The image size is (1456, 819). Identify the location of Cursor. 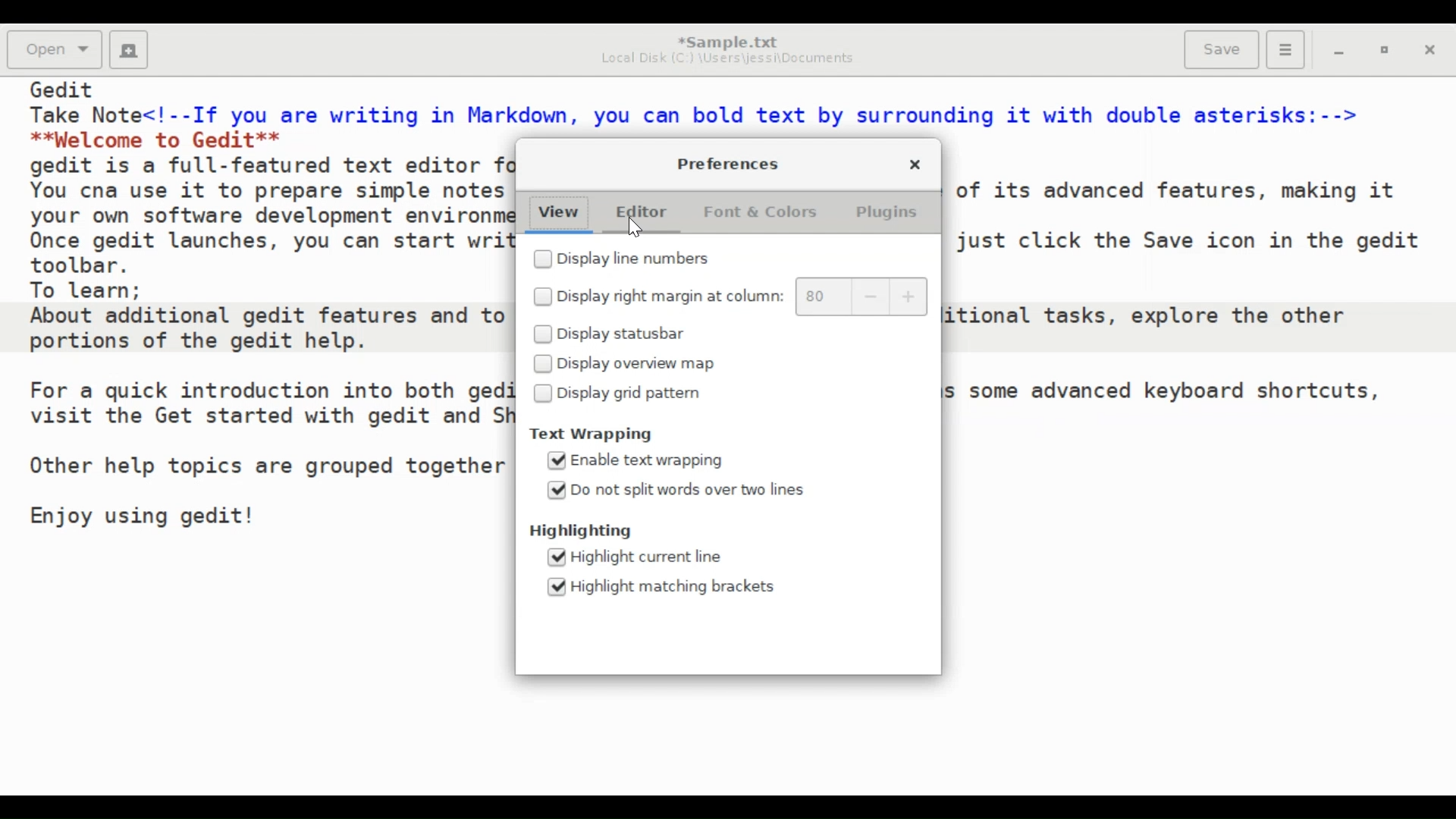
(635, 228).